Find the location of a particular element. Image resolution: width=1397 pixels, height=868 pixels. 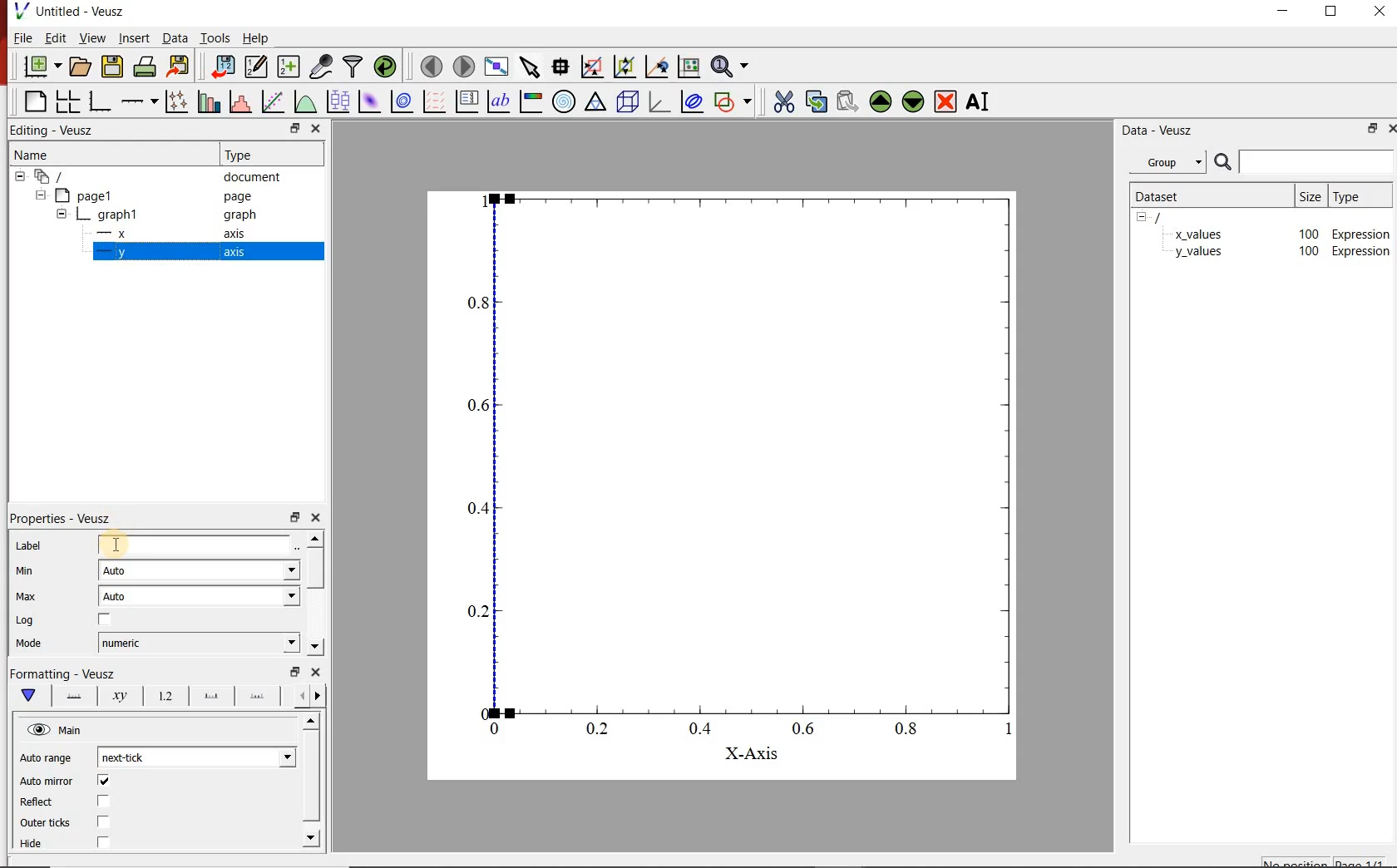

axis lane is located at coordinates (75, 698).